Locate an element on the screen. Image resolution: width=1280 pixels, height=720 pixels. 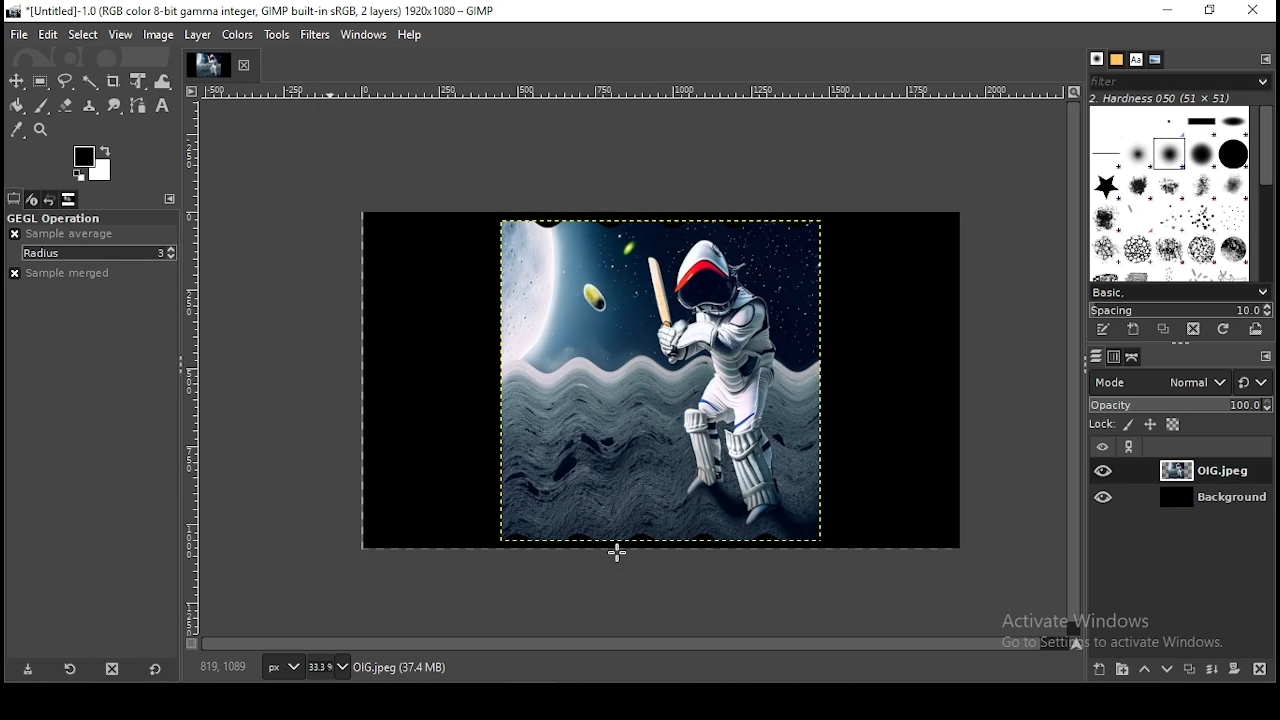
lock alpha channel is located at coordinates (1173, 424).